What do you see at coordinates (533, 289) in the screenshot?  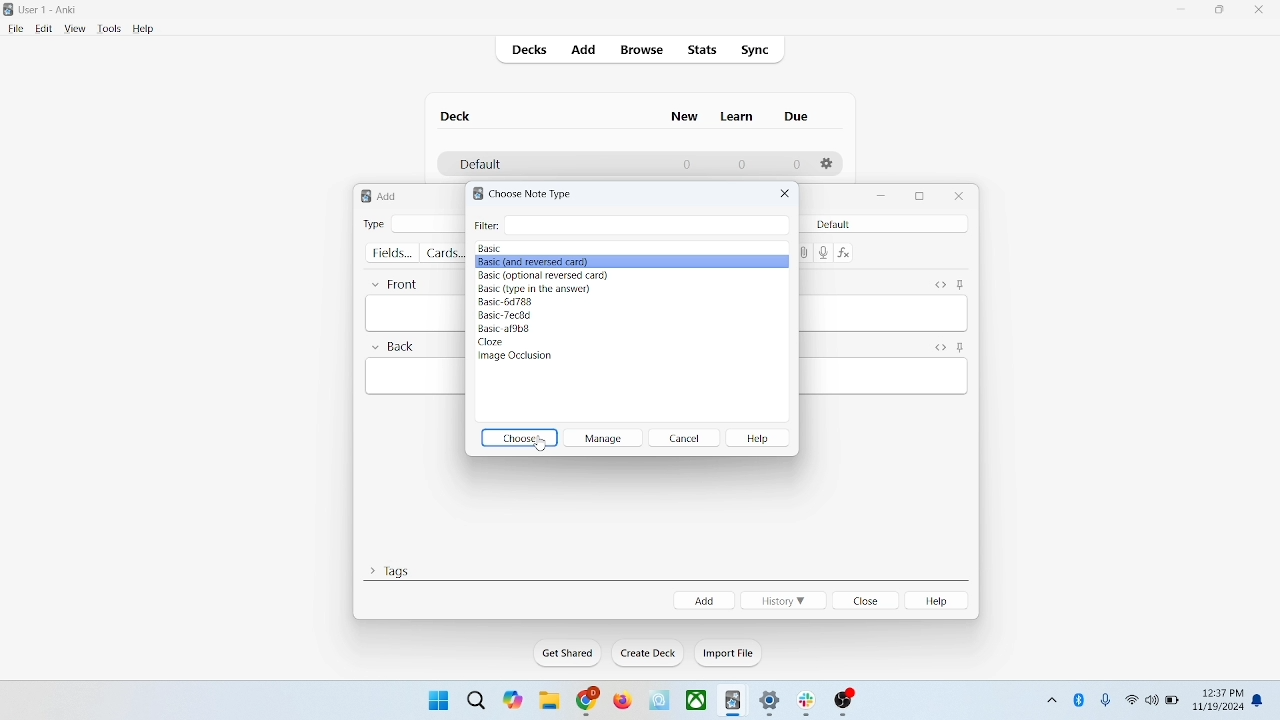 I see `Basic (type in the answer)` at bounding box center [533, 289].